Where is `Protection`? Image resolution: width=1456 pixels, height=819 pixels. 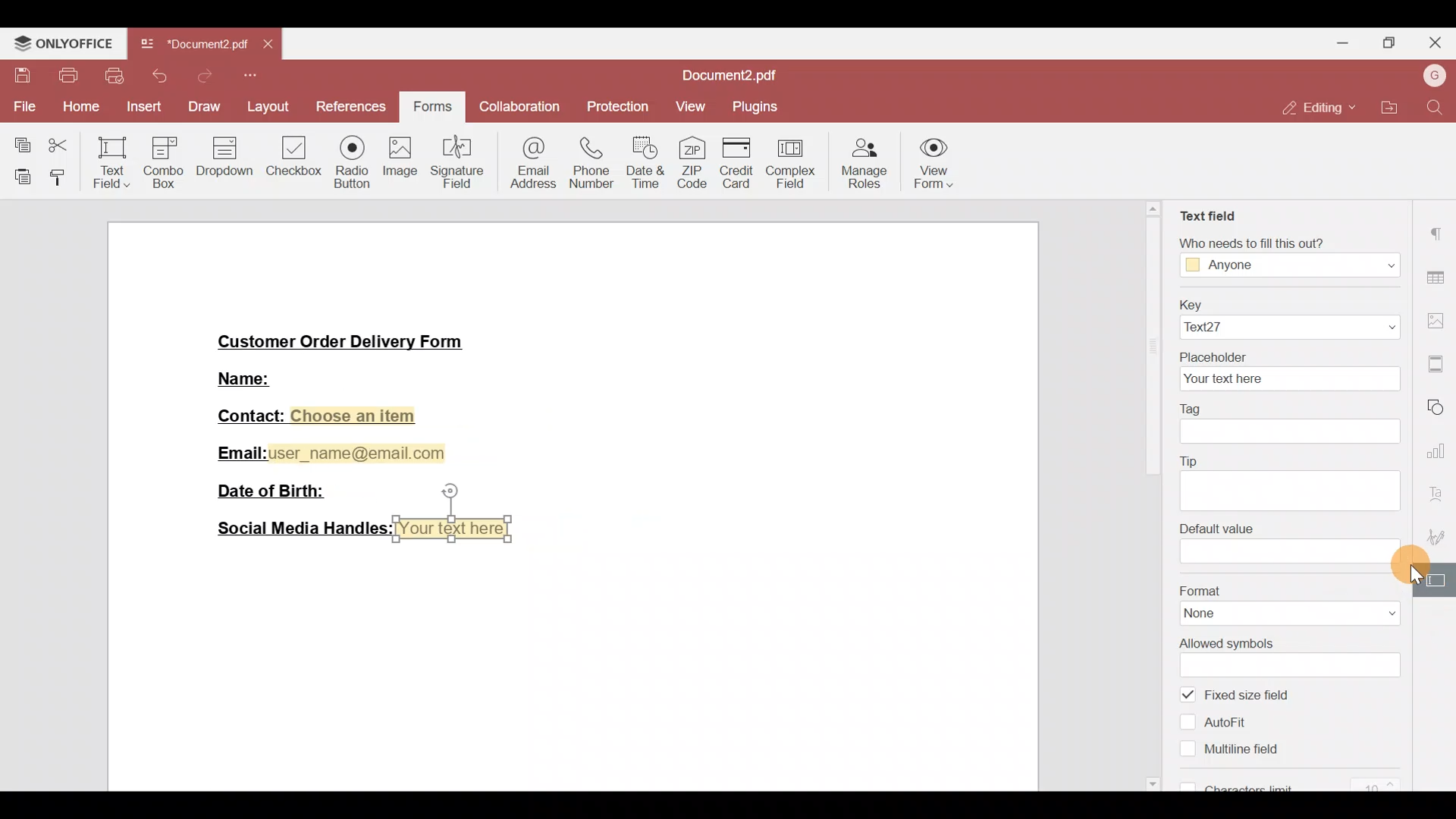
Protection is located at coordinates (614, 108).